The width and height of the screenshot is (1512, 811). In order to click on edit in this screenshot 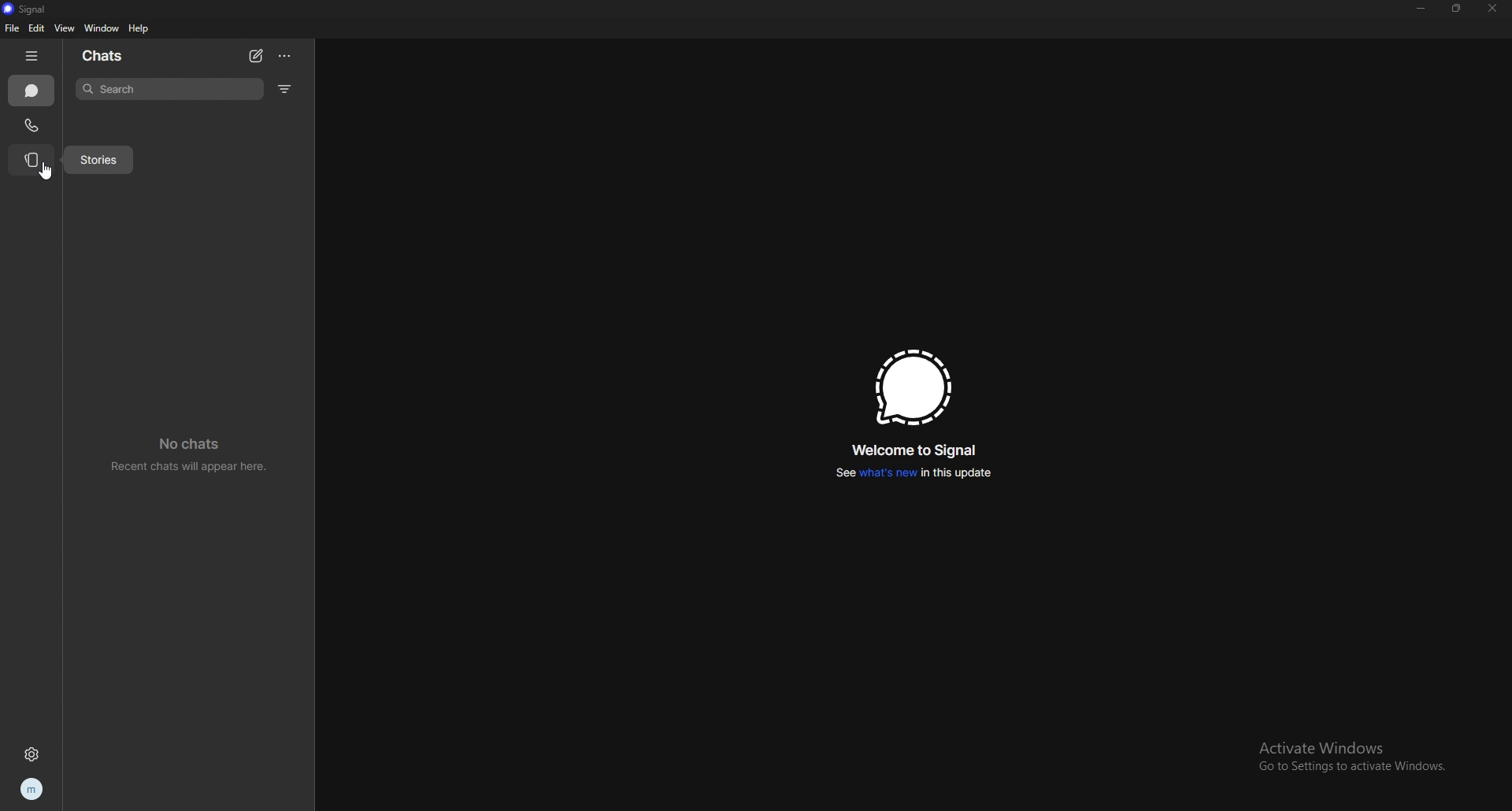, I will do `click(38, 28)`.